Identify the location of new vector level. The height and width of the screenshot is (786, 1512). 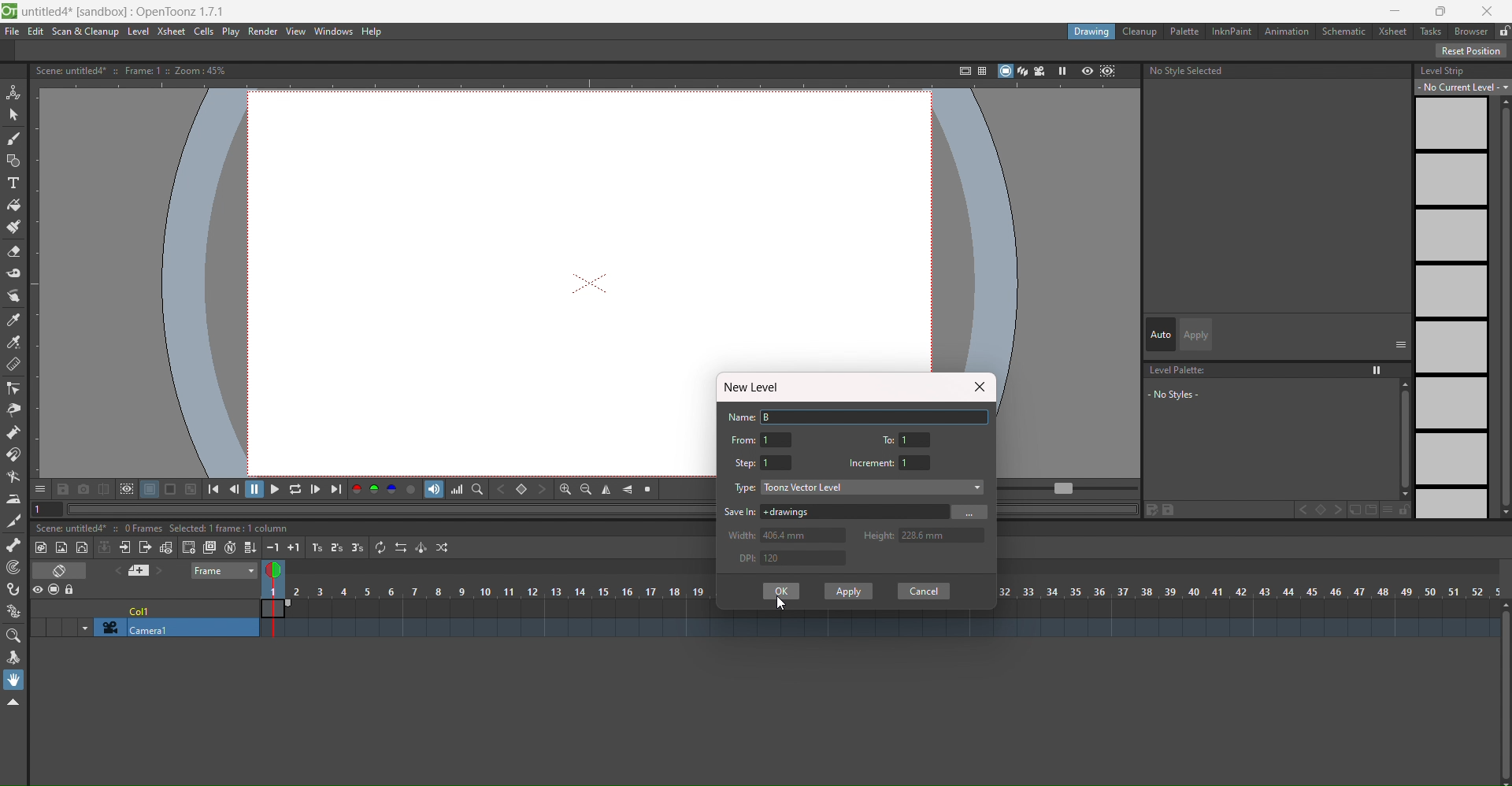
(83, 547).